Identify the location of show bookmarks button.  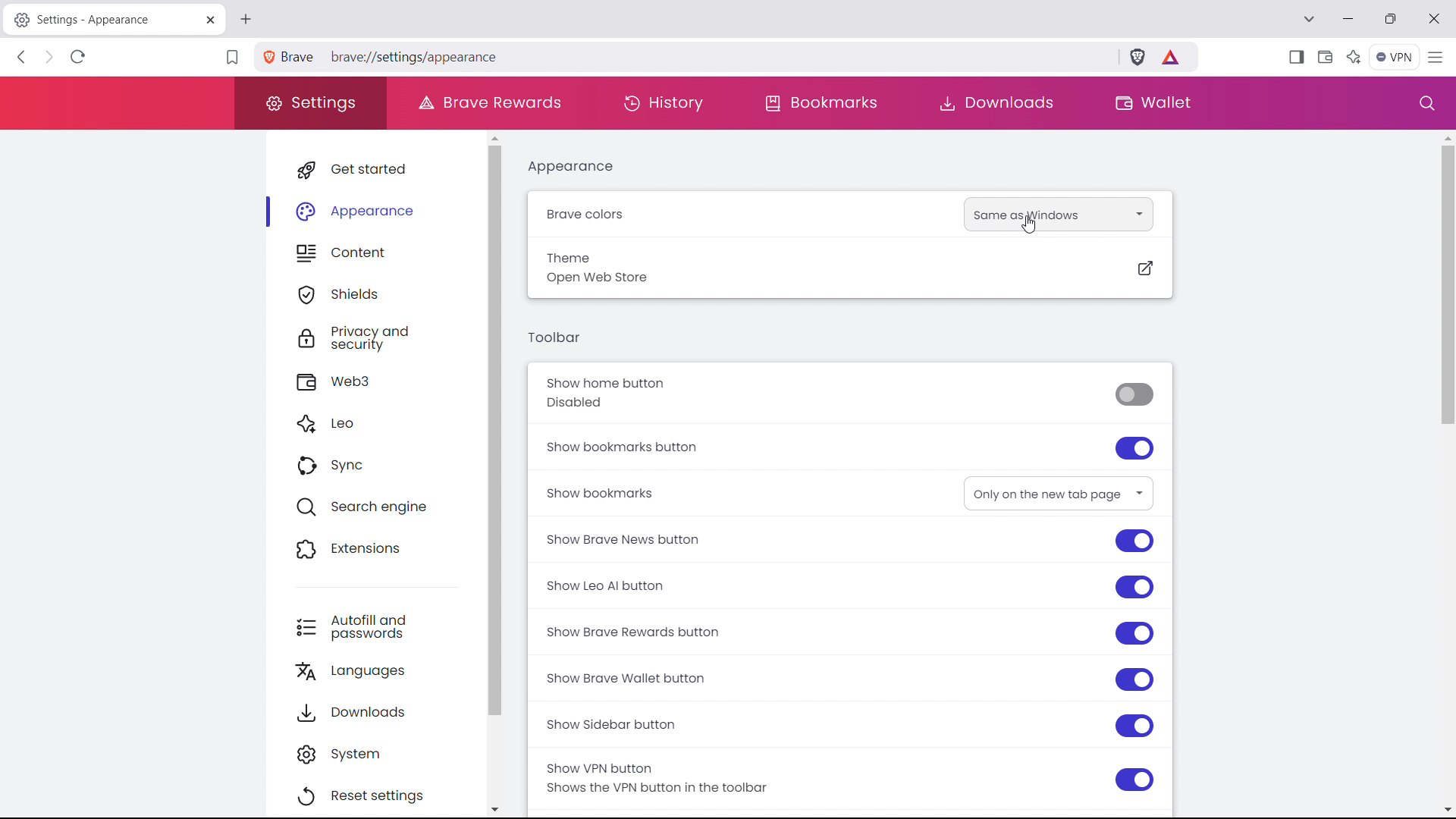
(852, 444).